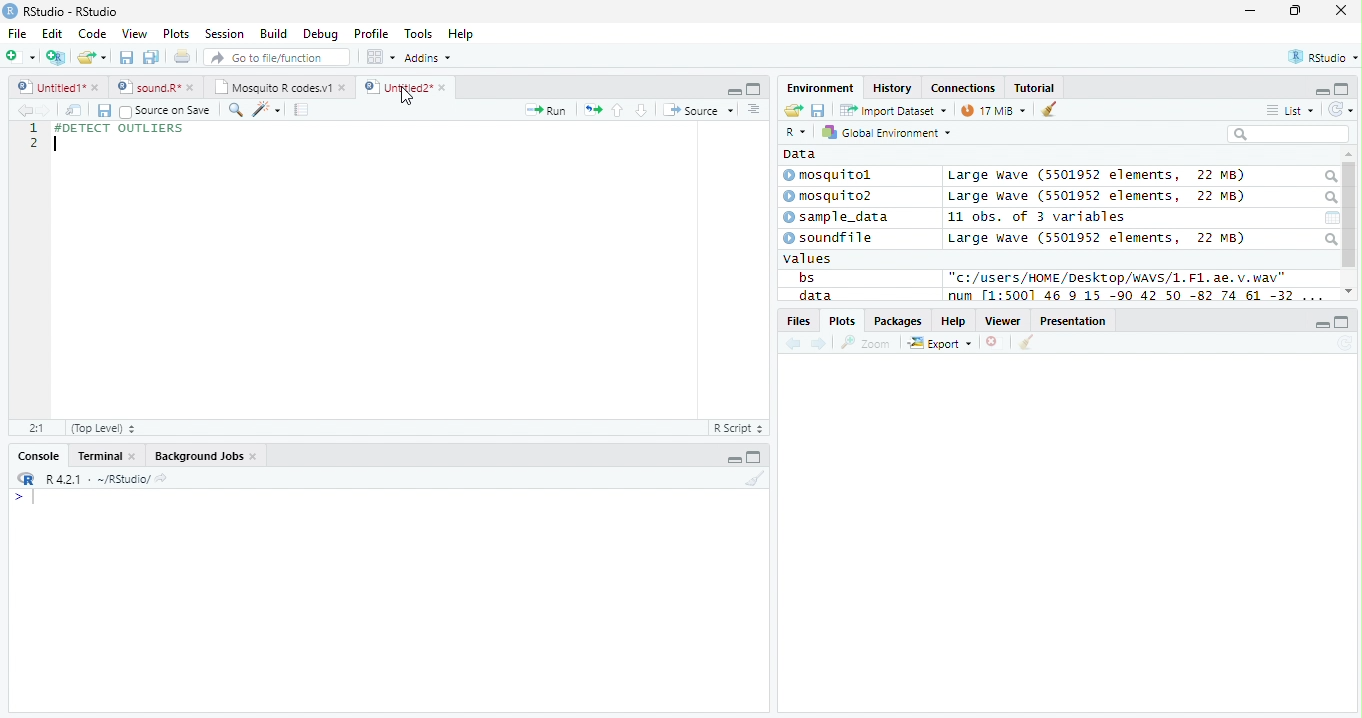 This screenshot has height=718, width=1362. What do you see at coordinates (954, 320) in the screenshot?
I see `Help` at bounding box center [954, 320].